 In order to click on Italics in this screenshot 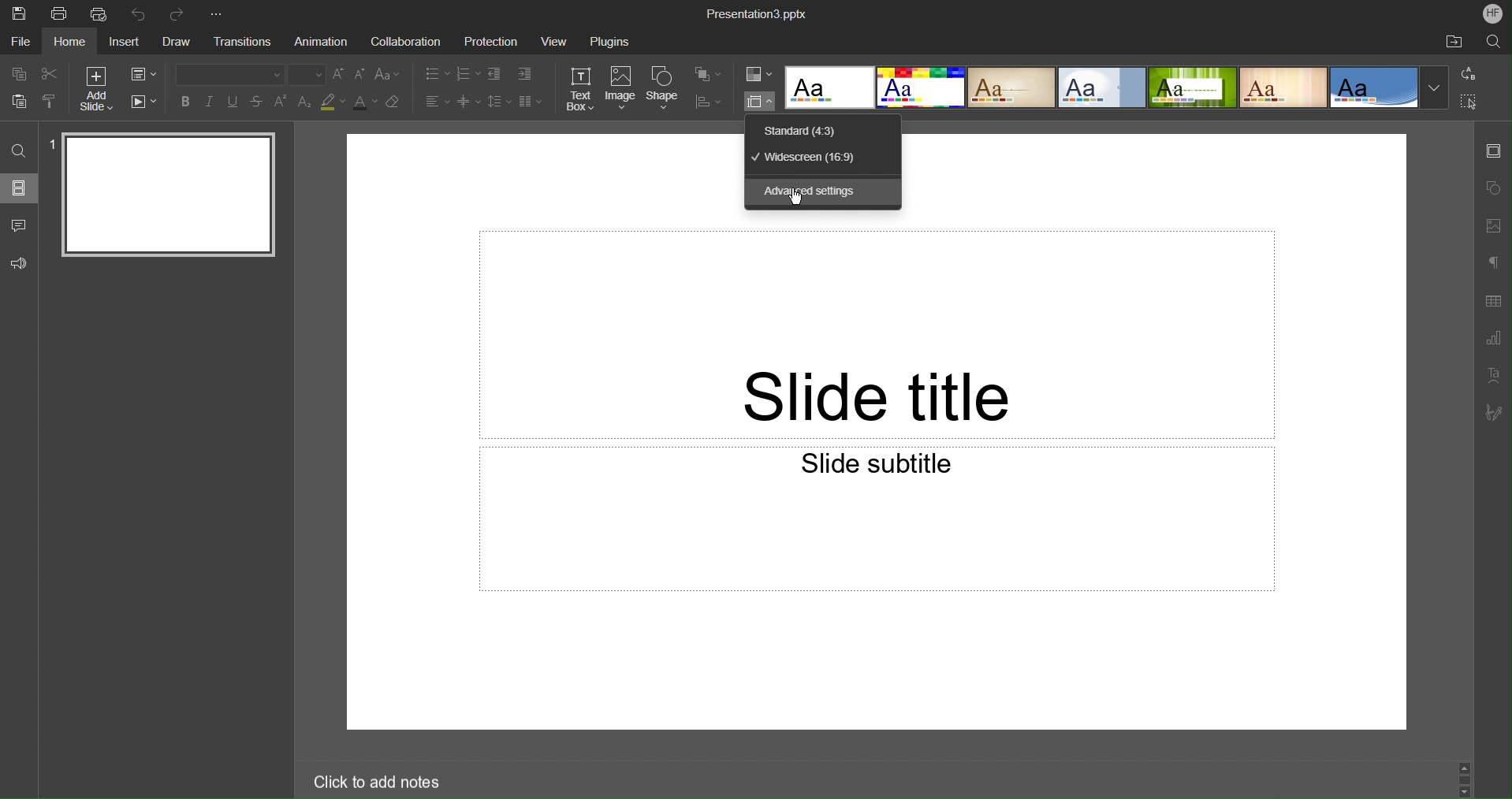, I will do `click(211, 103)`.